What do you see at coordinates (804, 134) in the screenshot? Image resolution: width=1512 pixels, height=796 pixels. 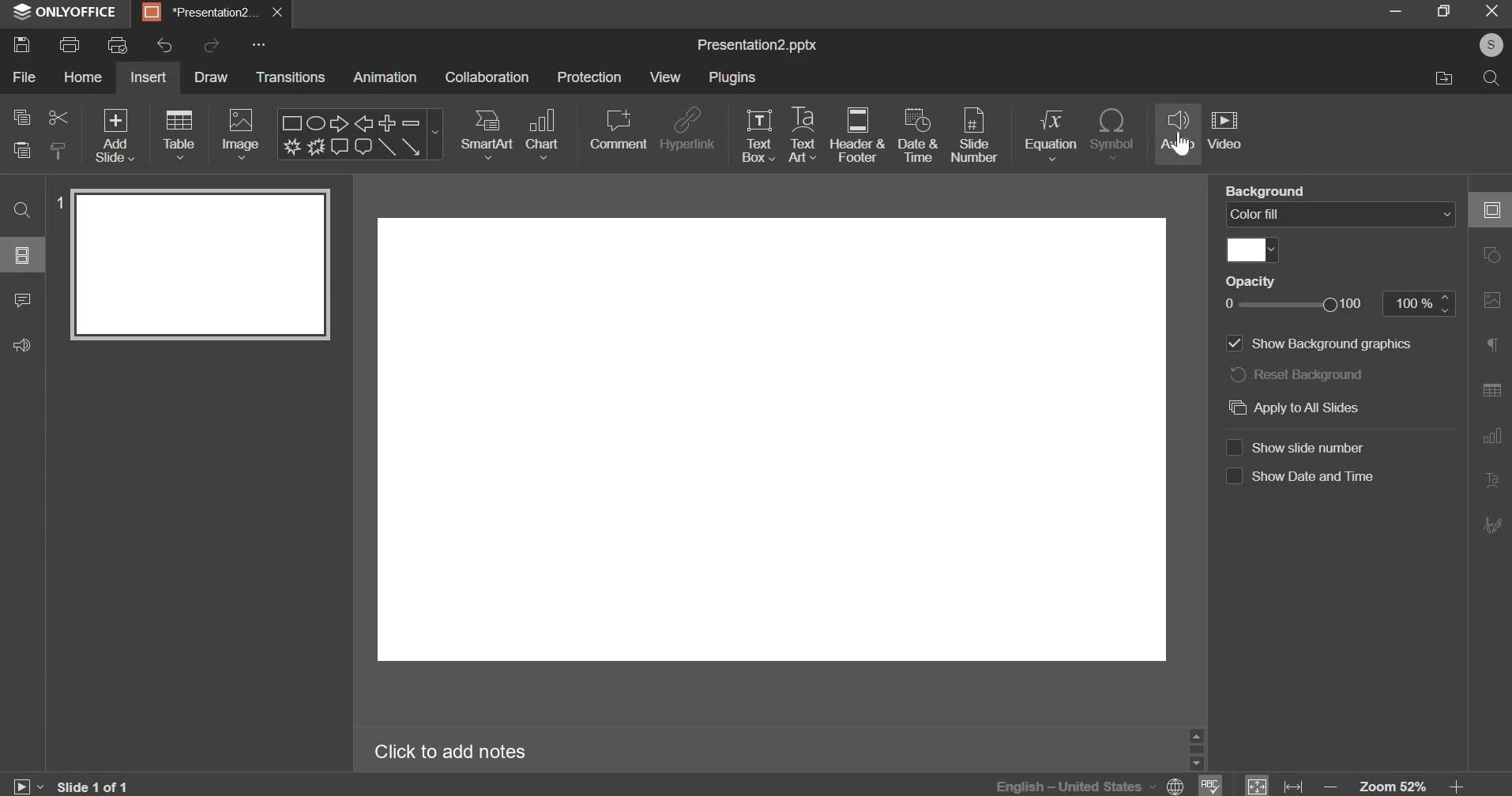 I see `text art` at bounding box center [804, 134].